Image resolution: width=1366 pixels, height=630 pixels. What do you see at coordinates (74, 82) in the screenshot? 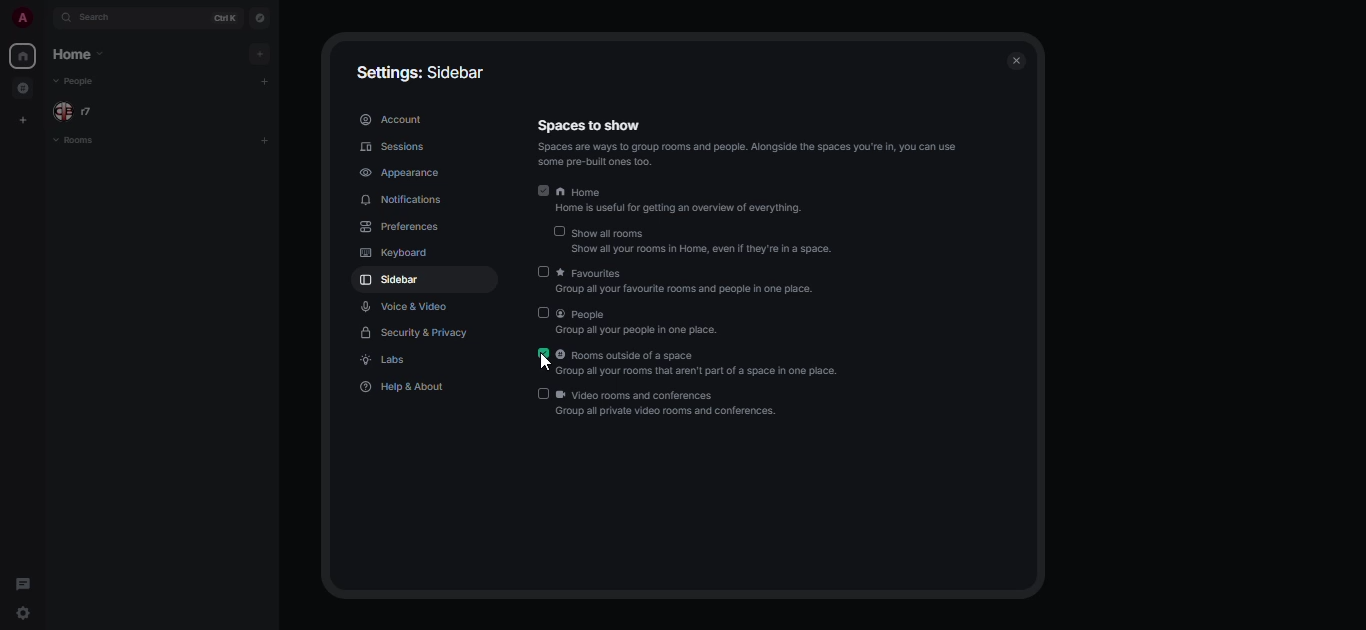
I see `people` at bounding box center [74, 82].